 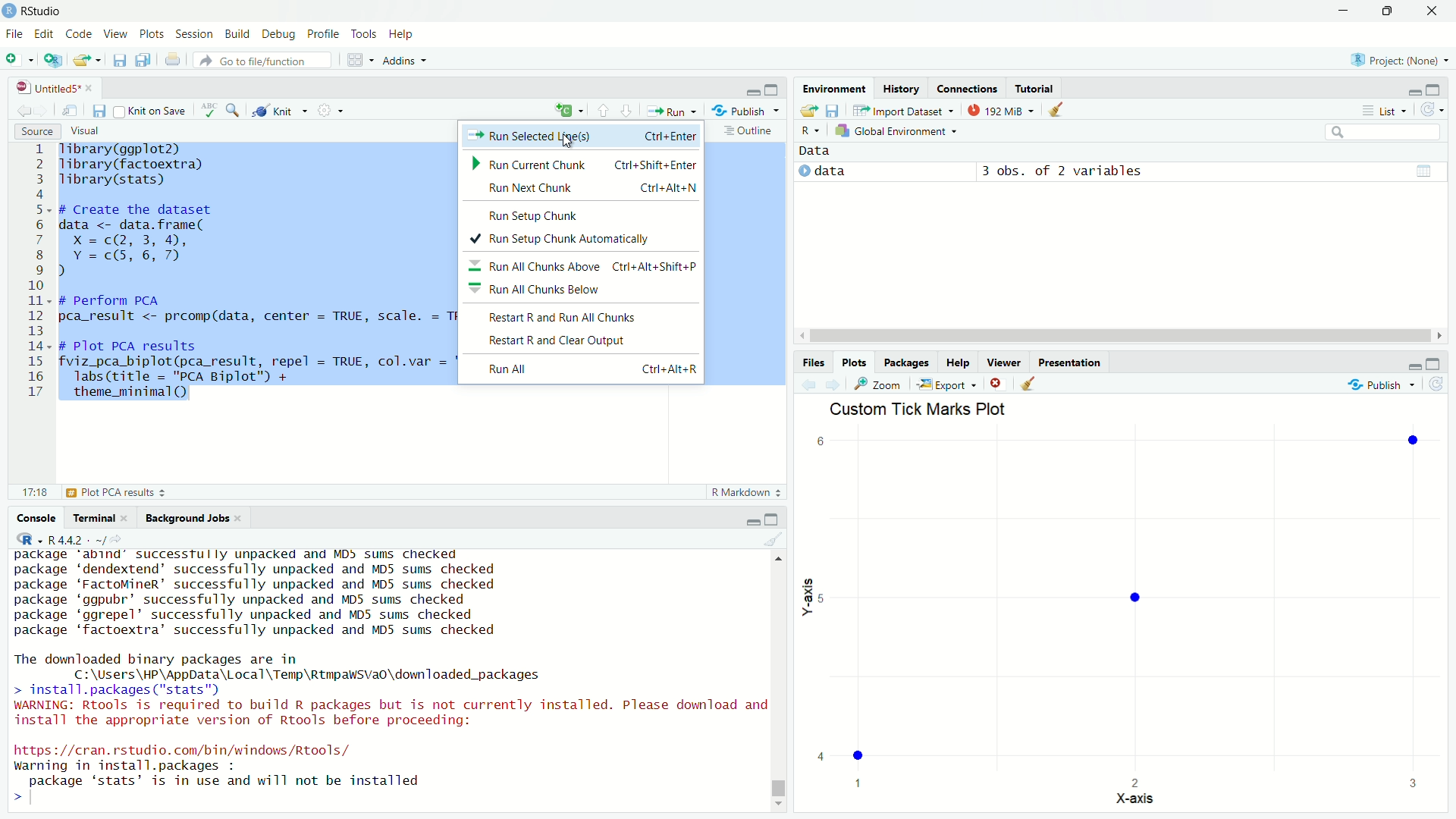 I want to click on tutorial, so click(x=1034, y=88).